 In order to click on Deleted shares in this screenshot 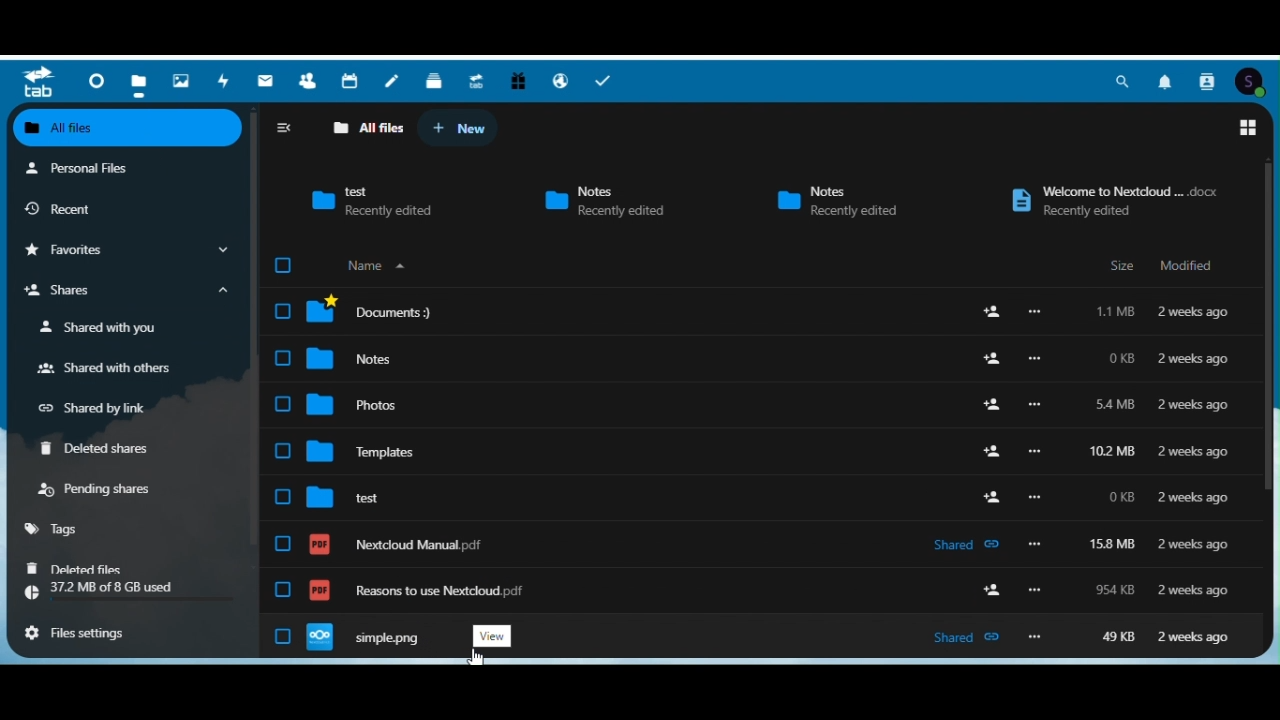, I will do `click(105, 447)`.